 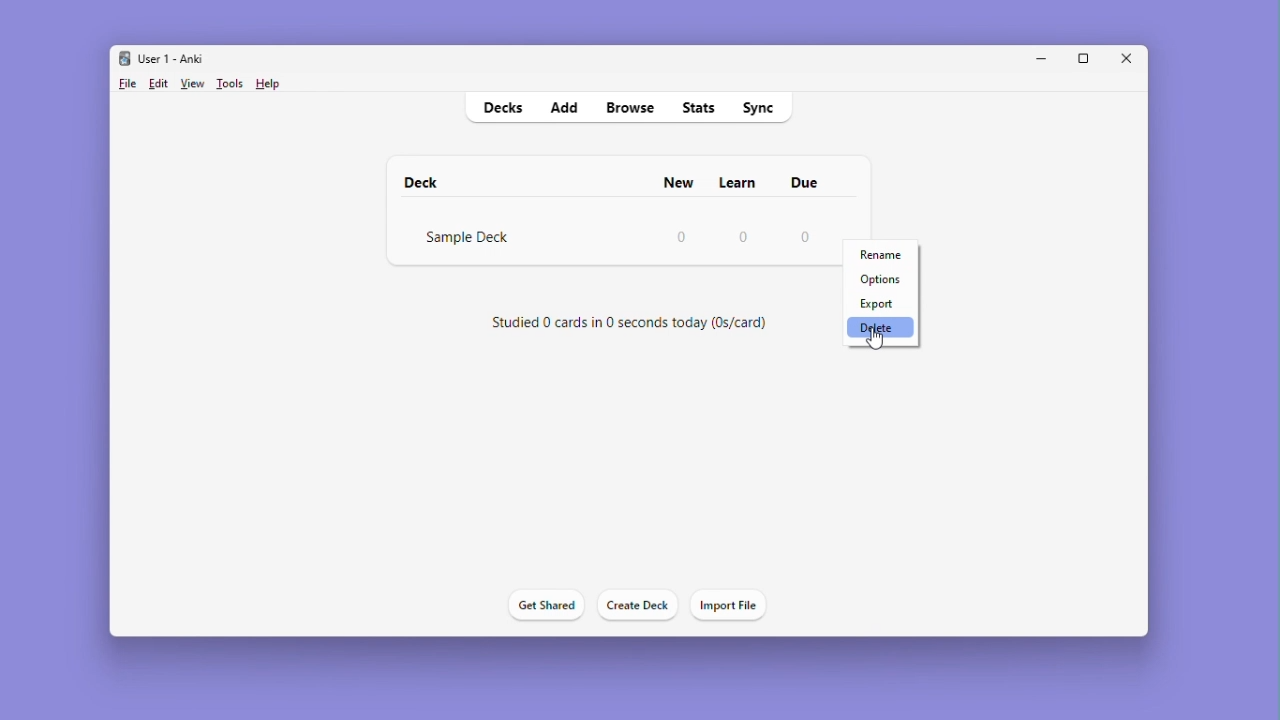 What do you see at coordinates (127, 84) in the screenshot?
I see `File` at bounding box center [127, 84].